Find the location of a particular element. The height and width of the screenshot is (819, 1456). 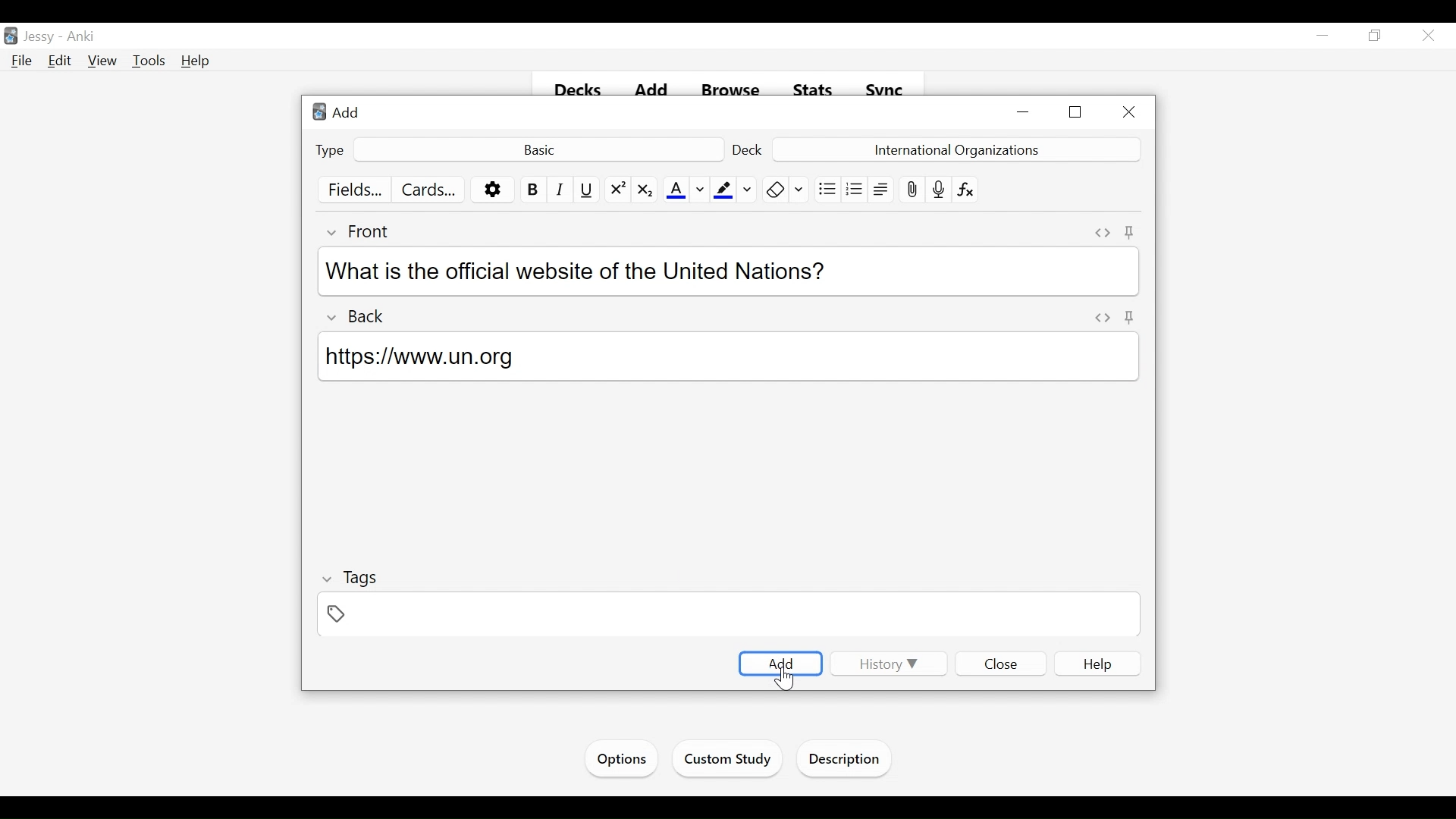

Anki Desktop icon is located at coordinates (11, 37).